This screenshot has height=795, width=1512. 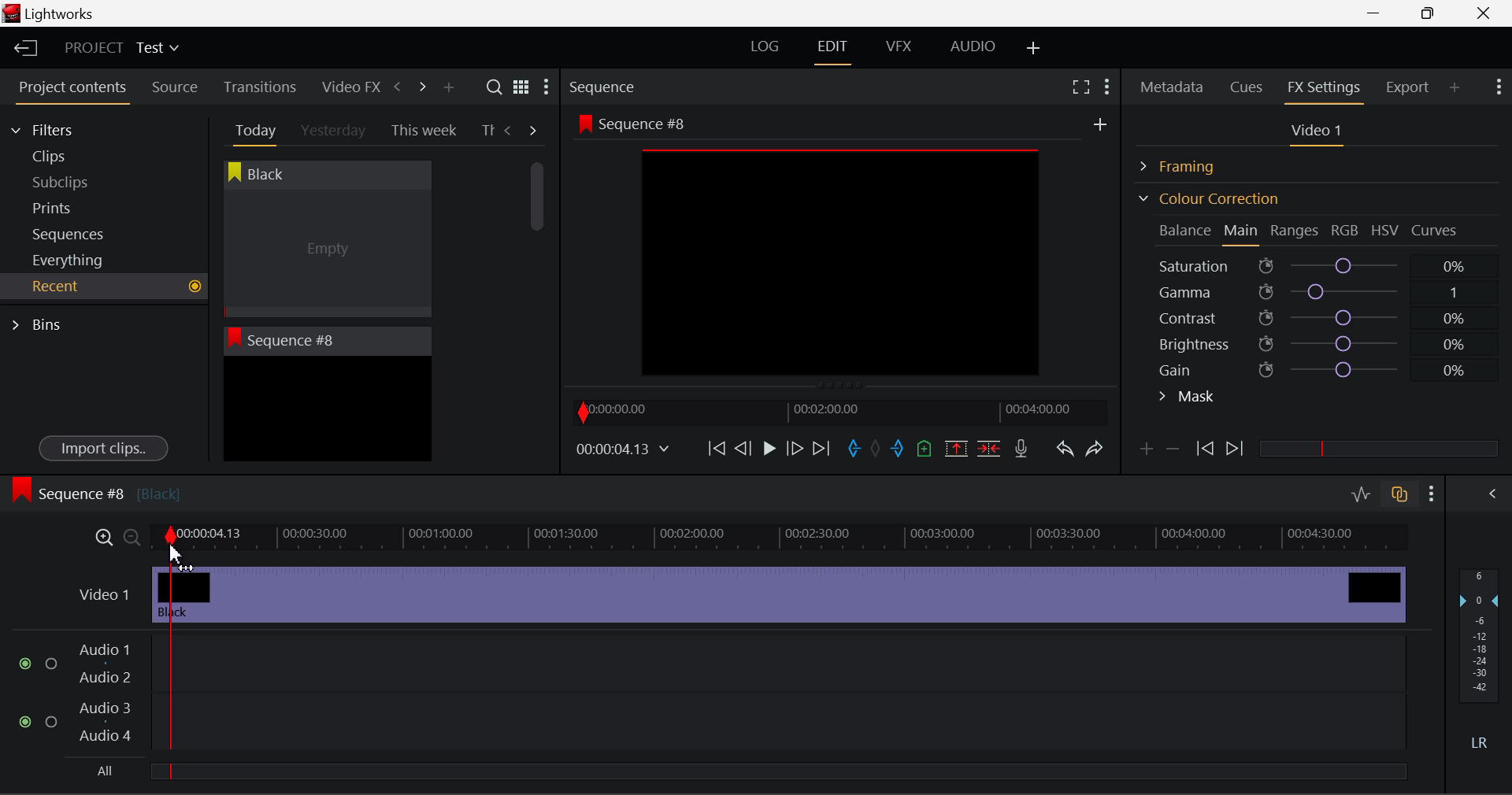 I want to click on Export Panel, so click(x=1410, y=87).